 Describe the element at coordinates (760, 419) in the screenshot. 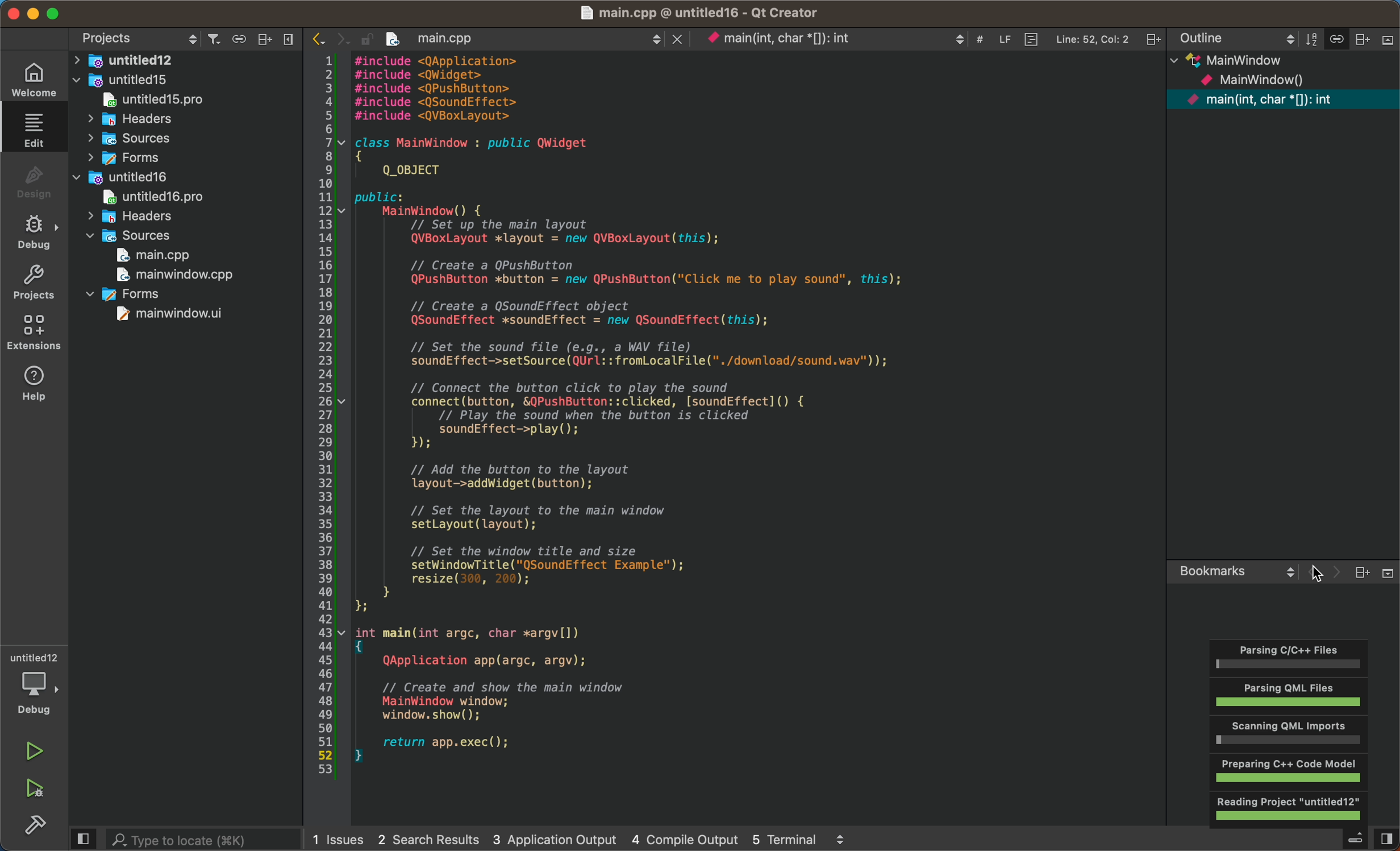

I see `main file` at that location.